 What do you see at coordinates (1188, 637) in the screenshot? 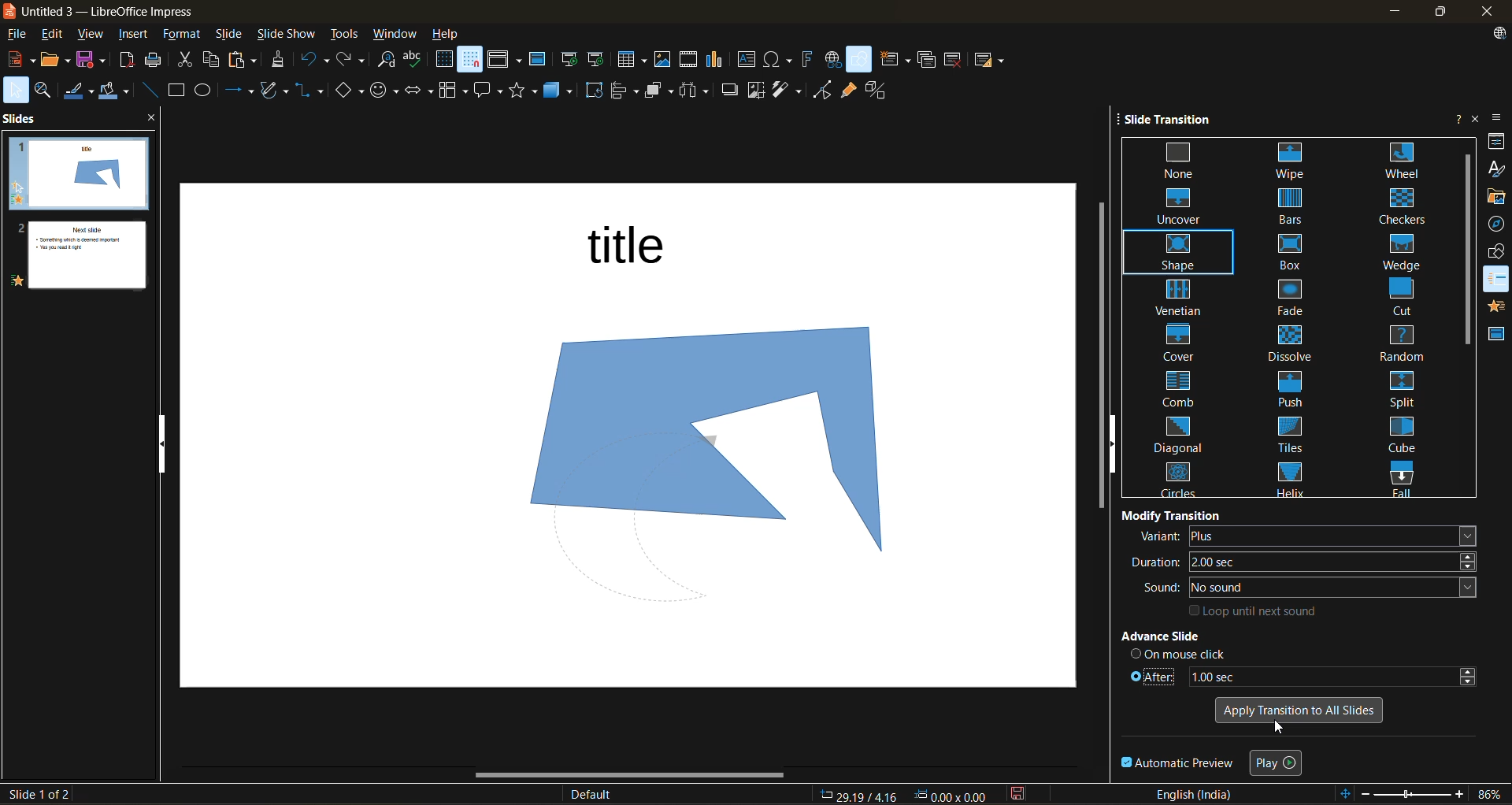
I see `advance slide` at bounding box center [1188, 637].